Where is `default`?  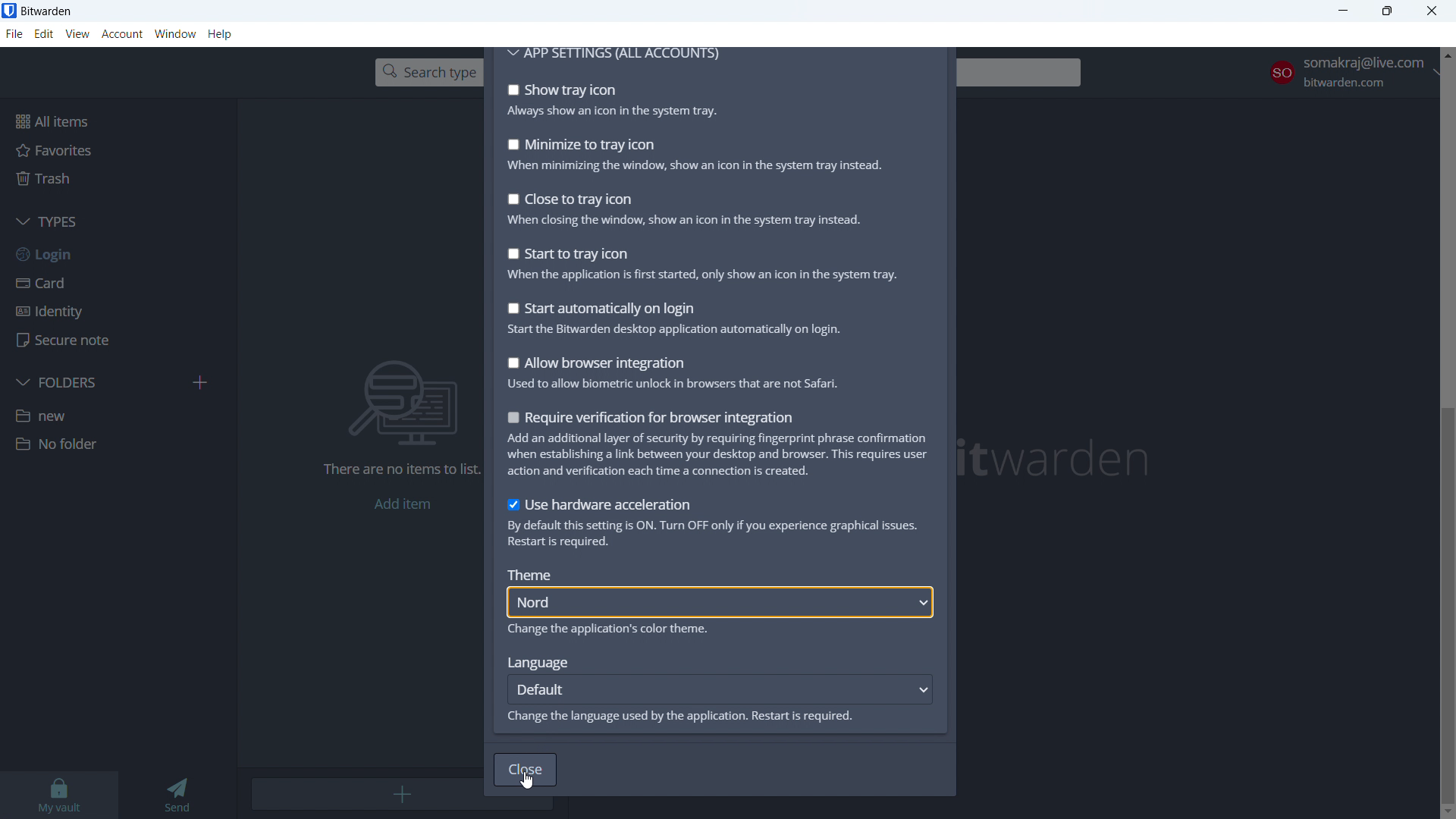 default is located at coordinates (720, 689).